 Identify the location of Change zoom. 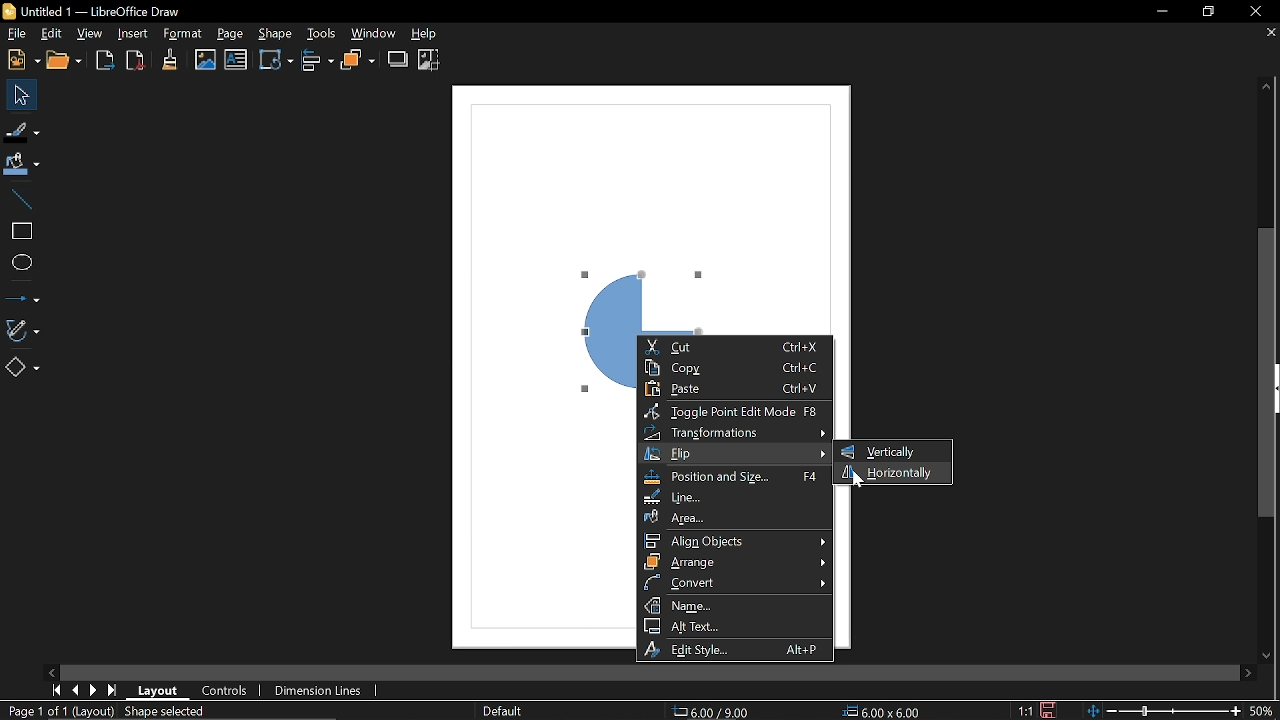
(1165, 711).